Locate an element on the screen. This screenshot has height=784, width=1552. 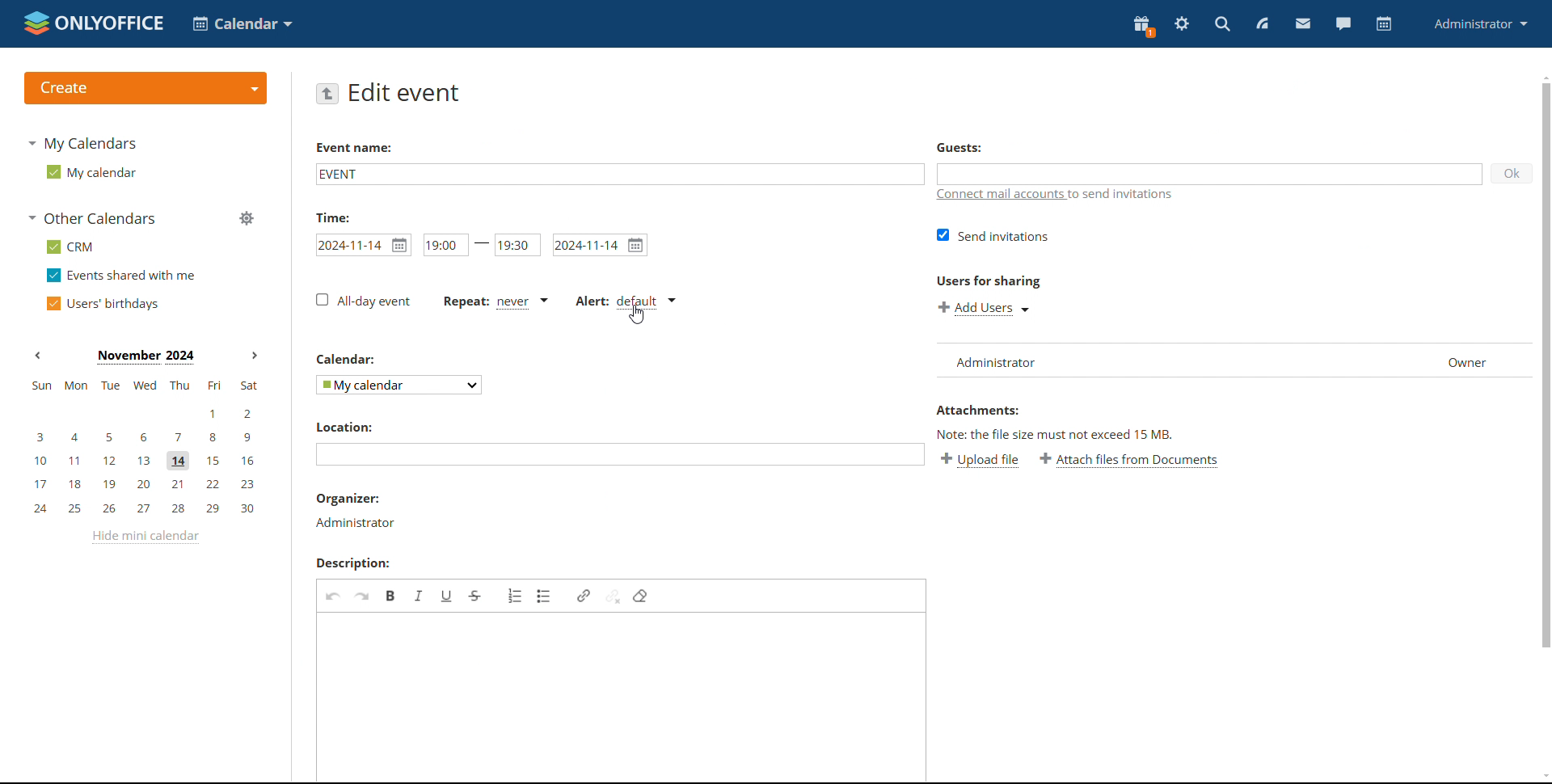
location: is located at coordinates (351, 426).